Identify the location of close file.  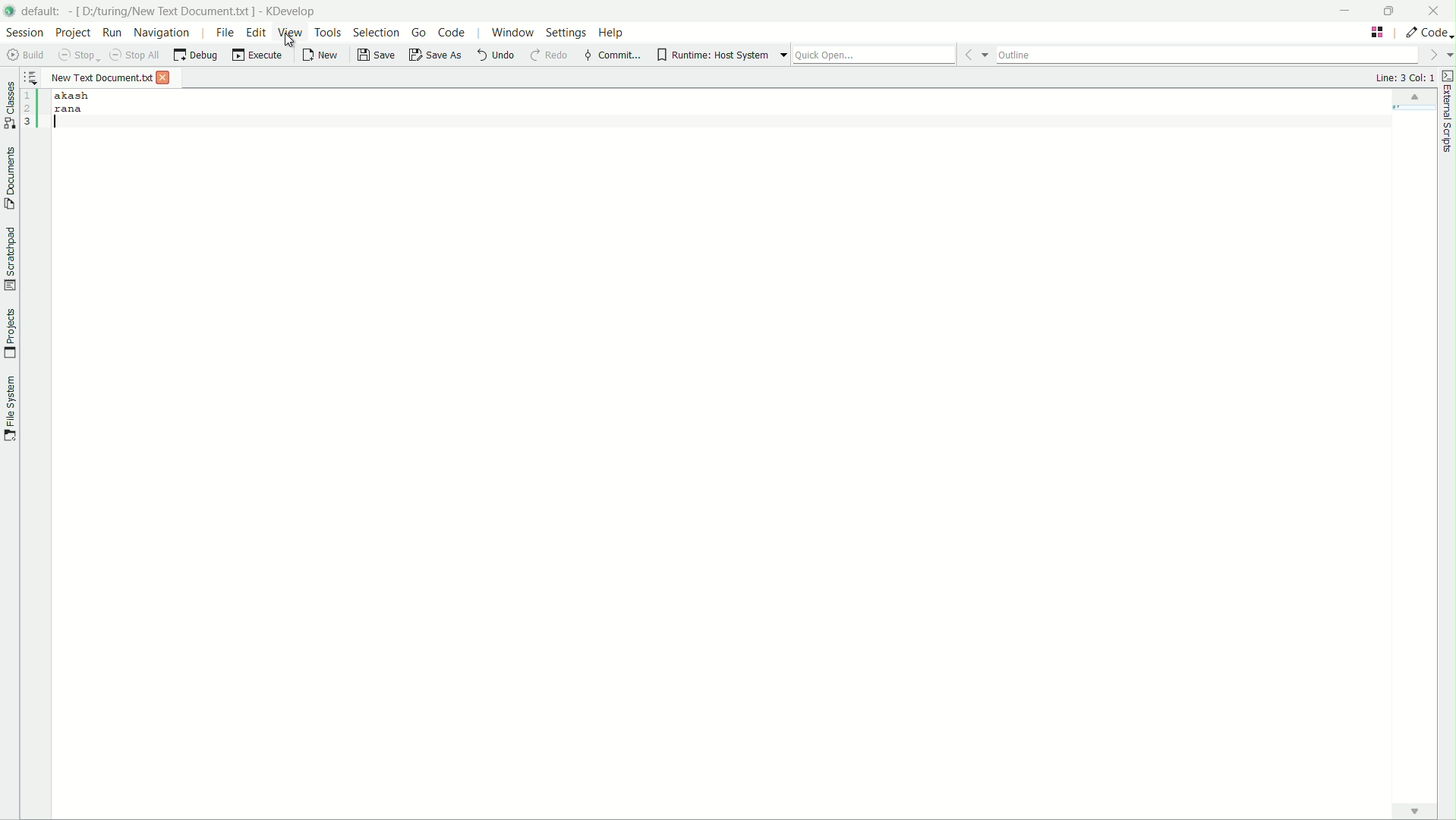
(164, 78).